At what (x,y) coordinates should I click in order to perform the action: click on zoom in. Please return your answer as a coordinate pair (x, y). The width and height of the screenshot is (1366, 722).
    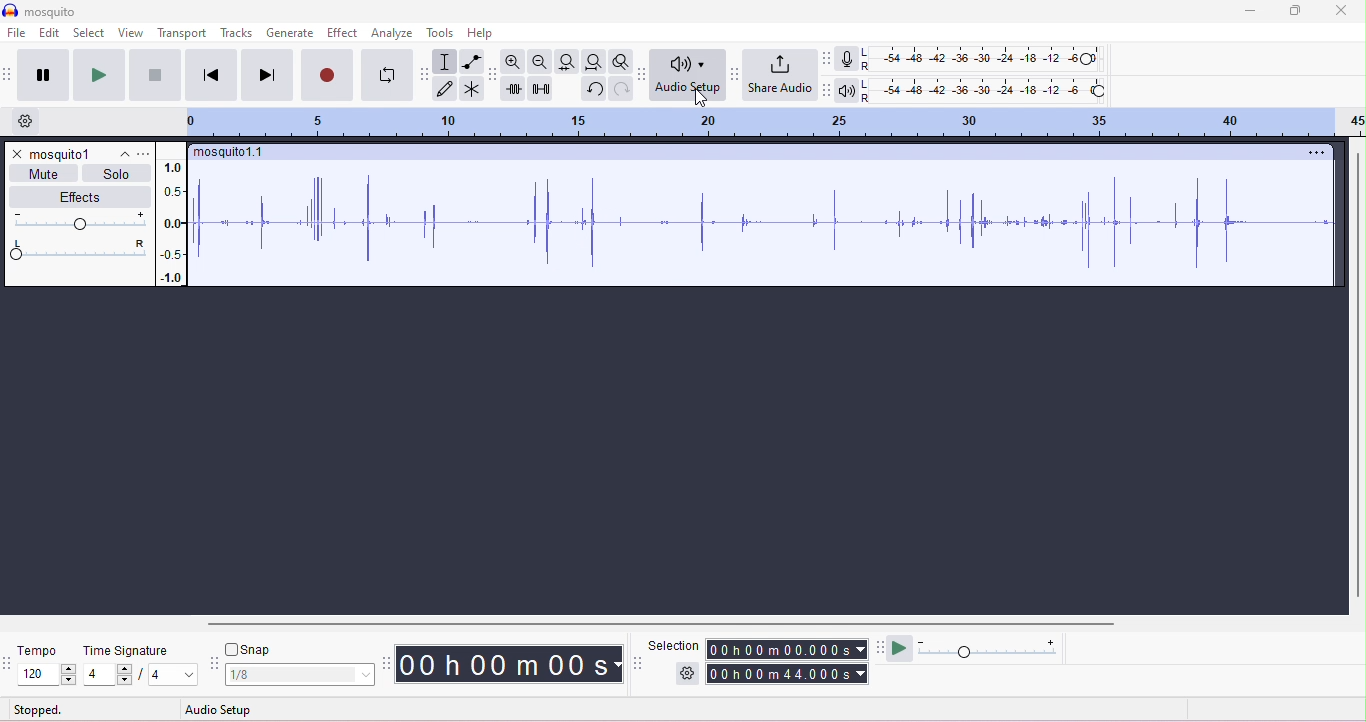
    Looking at the image, I should click on (513, 61).